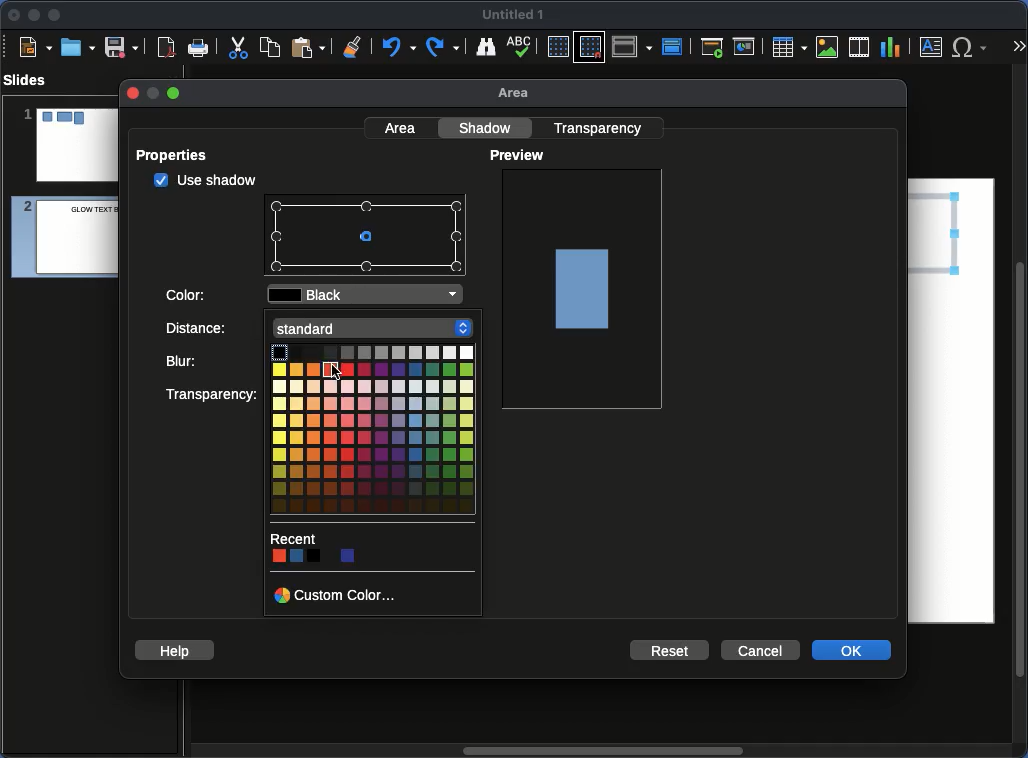  I want to click on Colors, so click(371, 432).